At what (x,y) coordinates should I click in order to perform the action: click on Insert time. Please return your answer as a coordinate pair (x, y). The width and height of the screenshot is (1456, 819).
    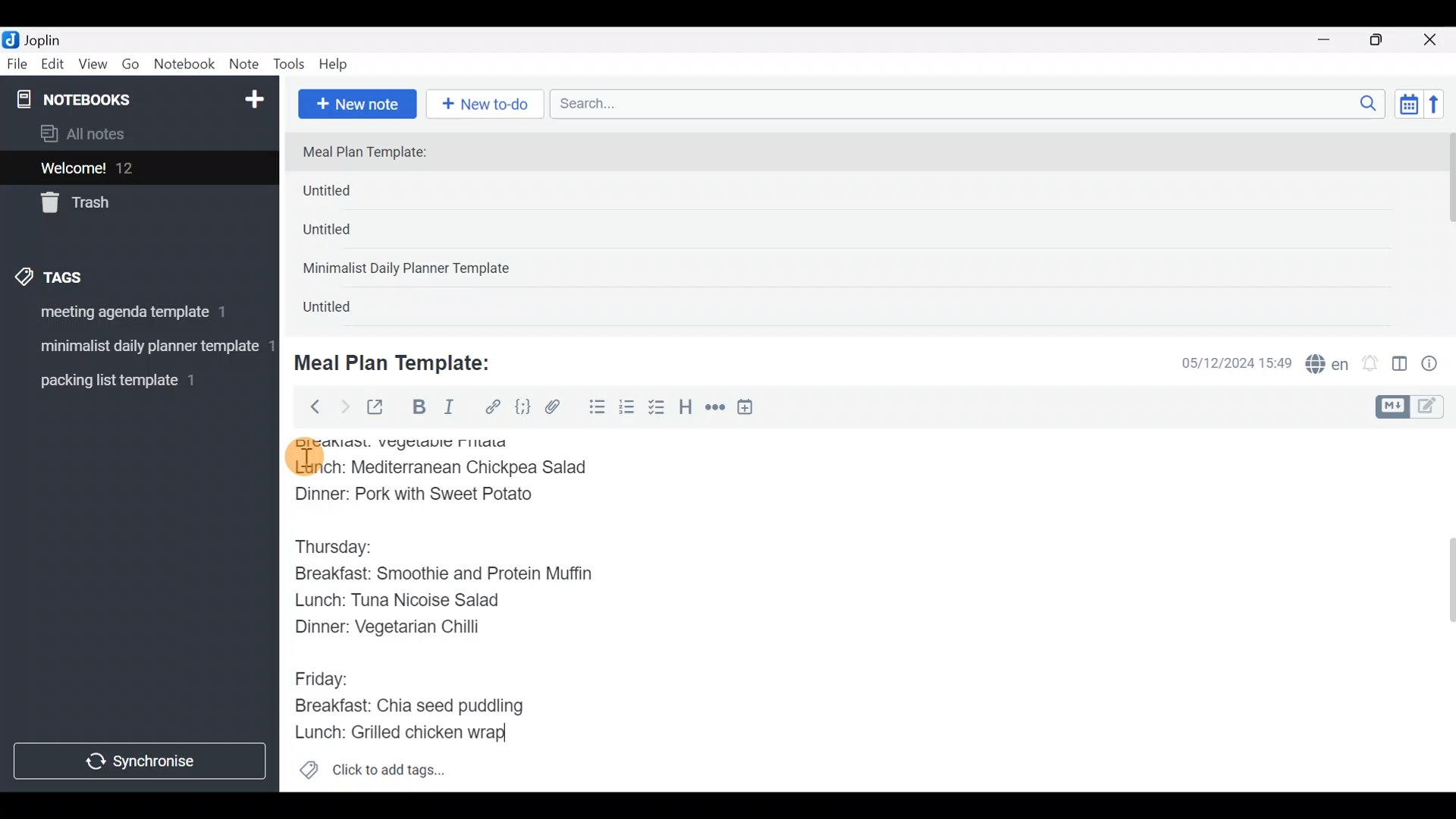
    Looking at the image, I should click on (752, 409).